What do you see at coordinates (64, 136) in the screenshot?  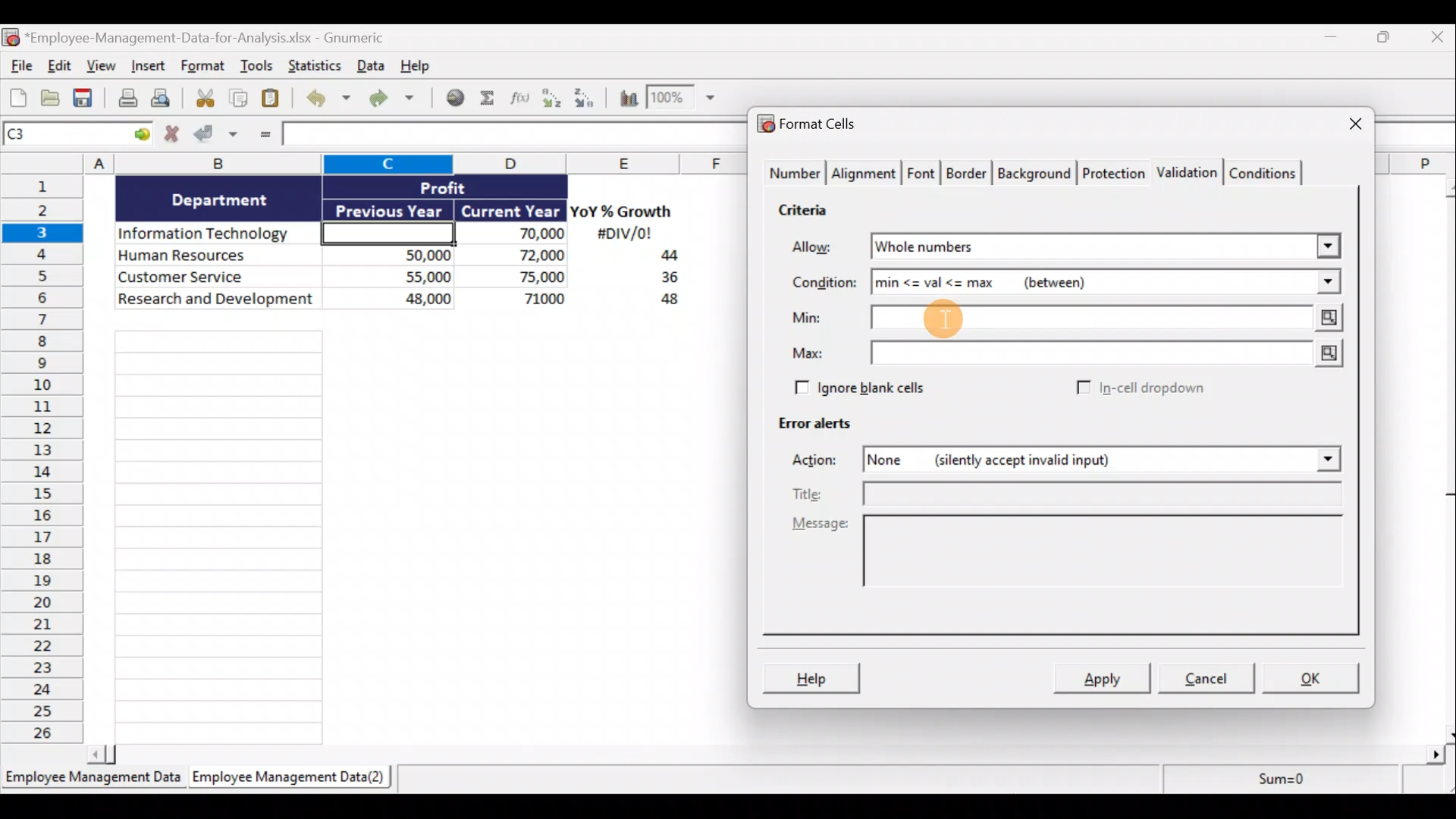 I see `Cell name C1` at bounding box center [64, 136].